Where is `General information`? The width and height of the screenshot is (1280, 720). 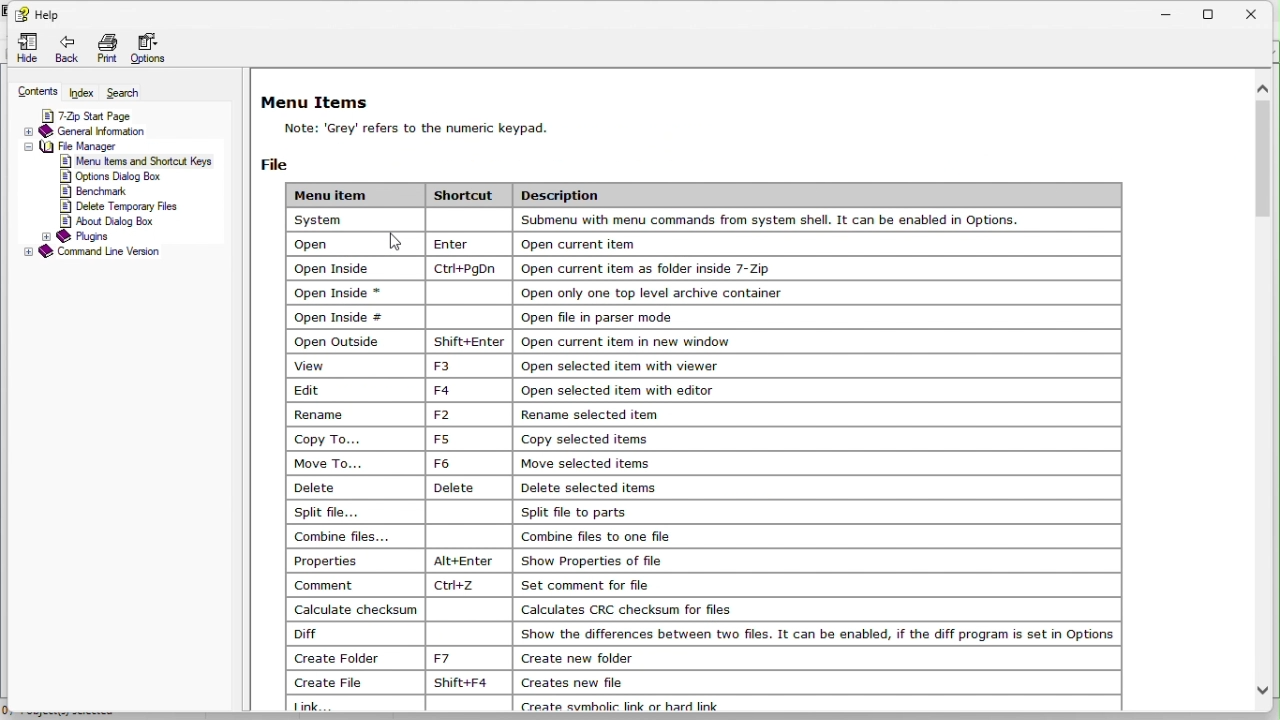 General information is located at coordinates (92, 130).